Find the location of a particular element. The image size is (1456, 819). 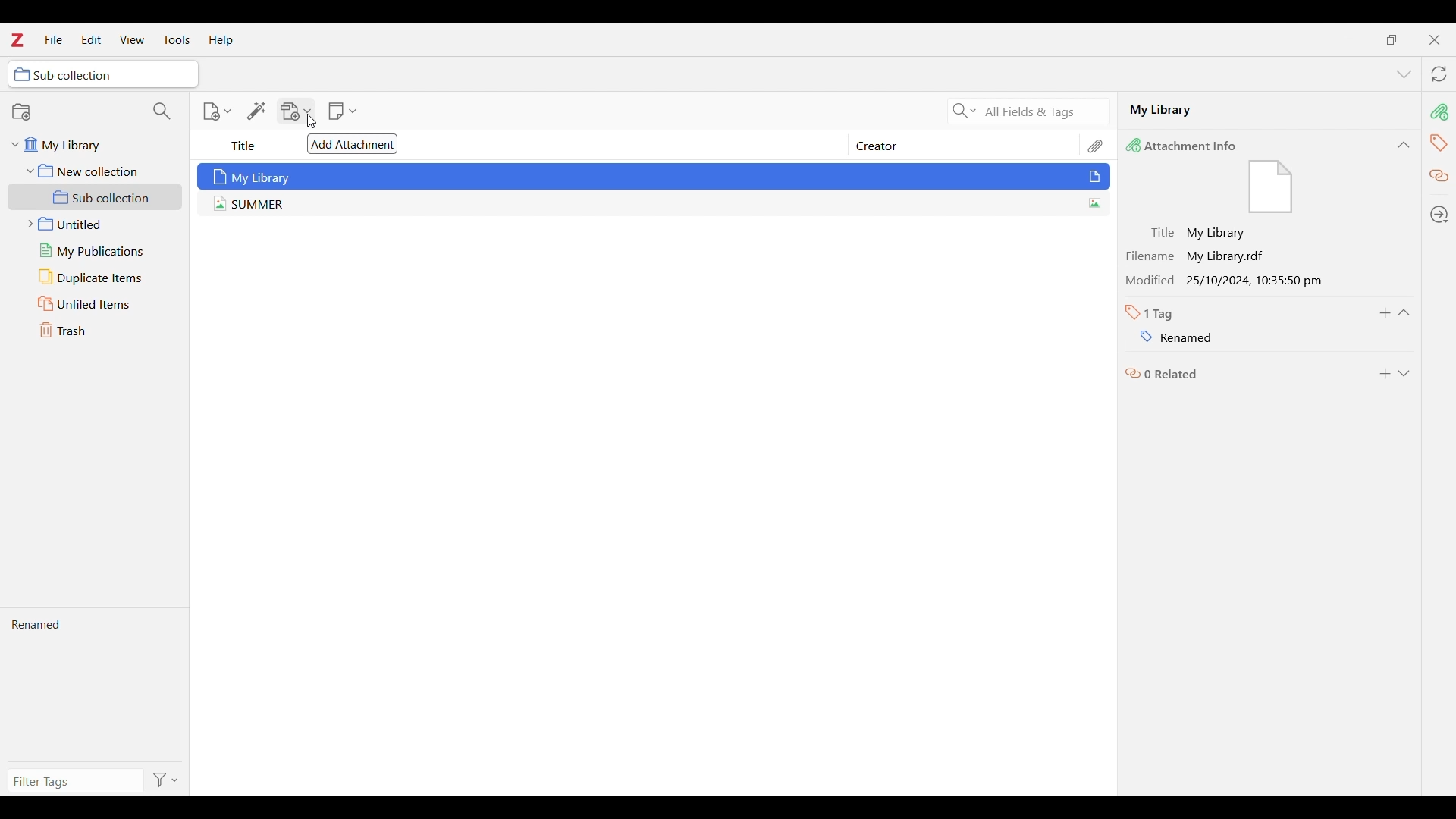

SUMMER is located at coordinates (643, 206).